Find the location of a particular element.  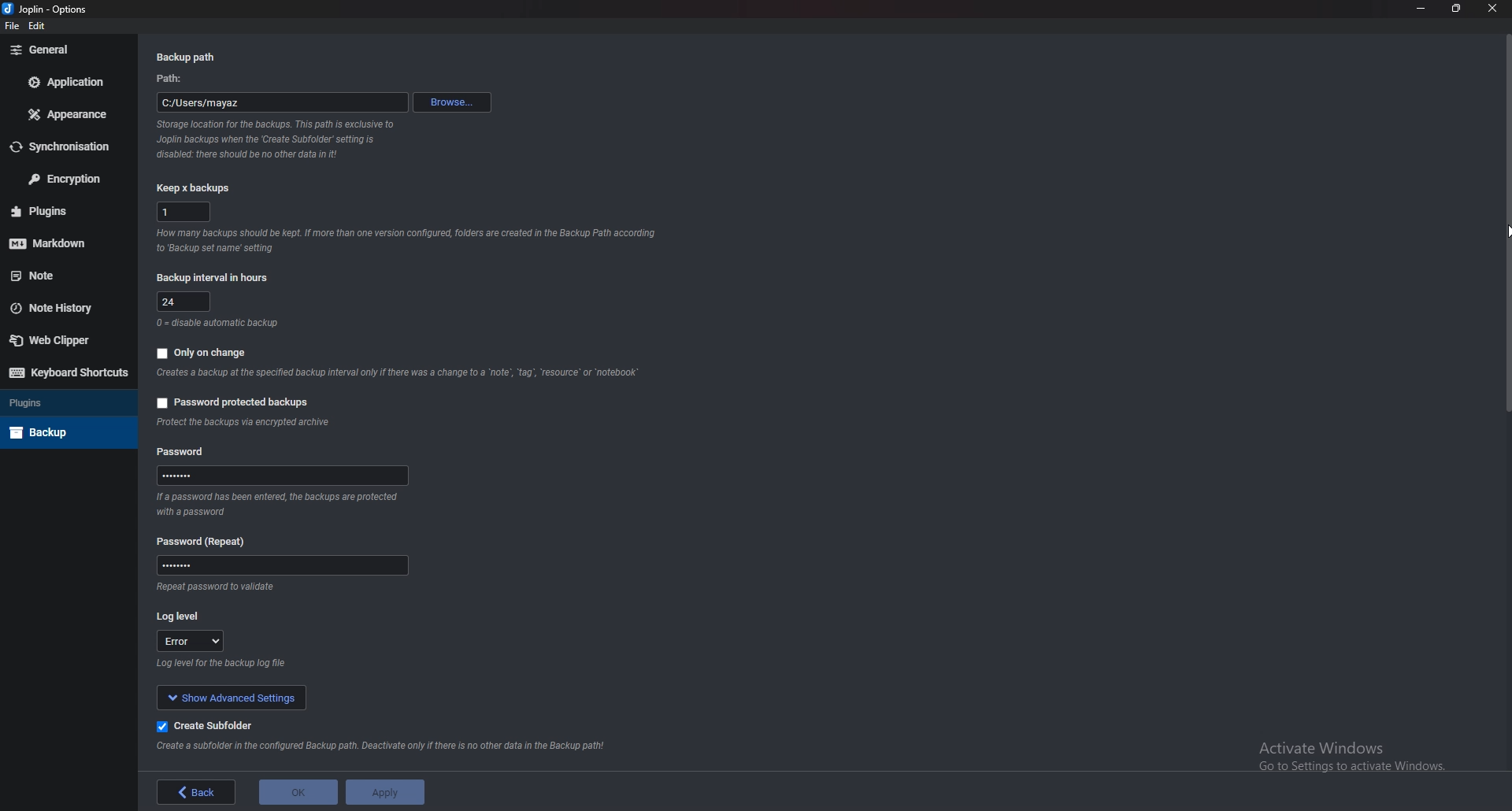

Synchronization is located at coordinates (62, 147).